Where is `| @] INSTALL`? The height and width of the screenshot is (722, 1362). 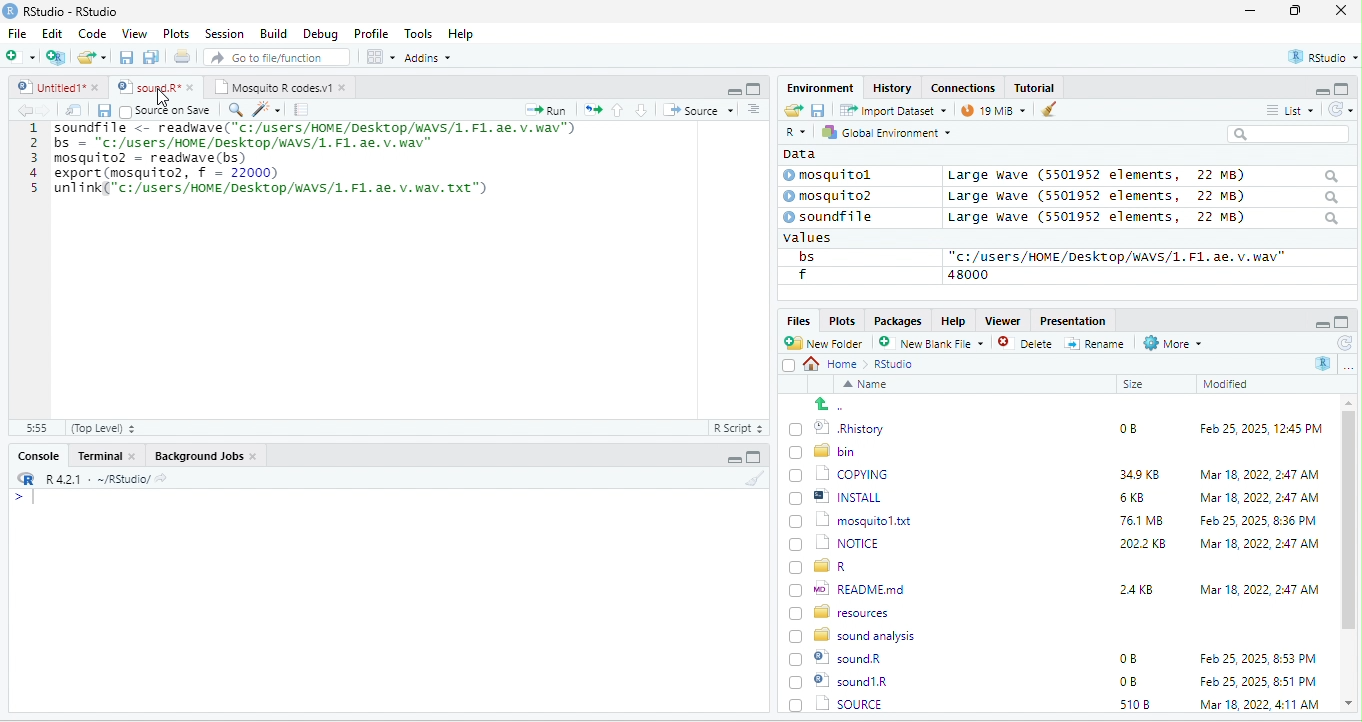 | @] INSTALL is located at coordinates (839, 496).